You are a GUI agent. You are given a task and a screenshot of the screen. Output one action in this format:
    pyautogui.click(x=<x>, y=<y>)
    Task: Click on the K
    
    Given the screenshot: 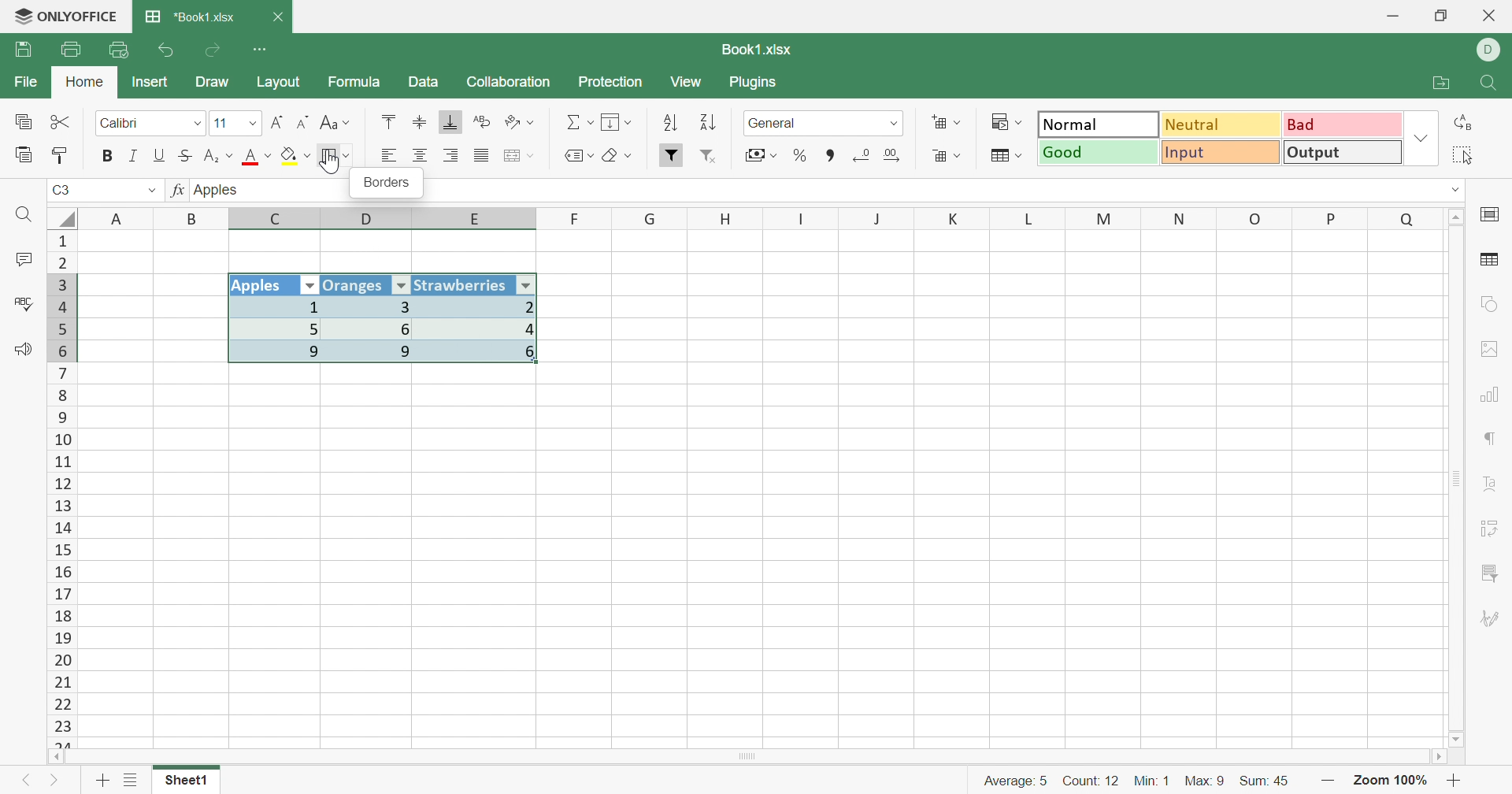 What is the action you would take?
    pyautogui.click(x=954, y=220)
    